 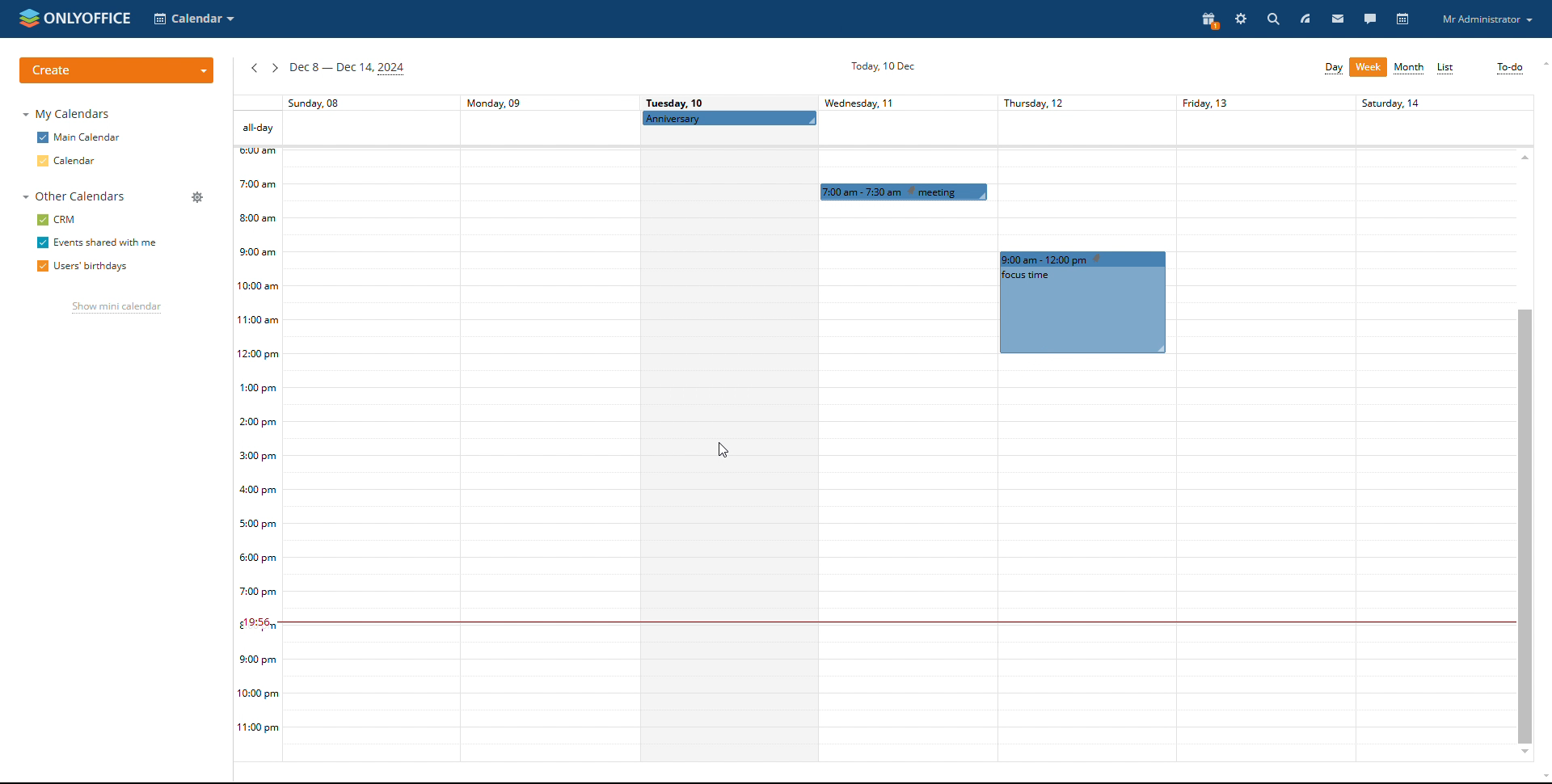 I want to click on scheduled all-day event, so click(x=729, y=118).